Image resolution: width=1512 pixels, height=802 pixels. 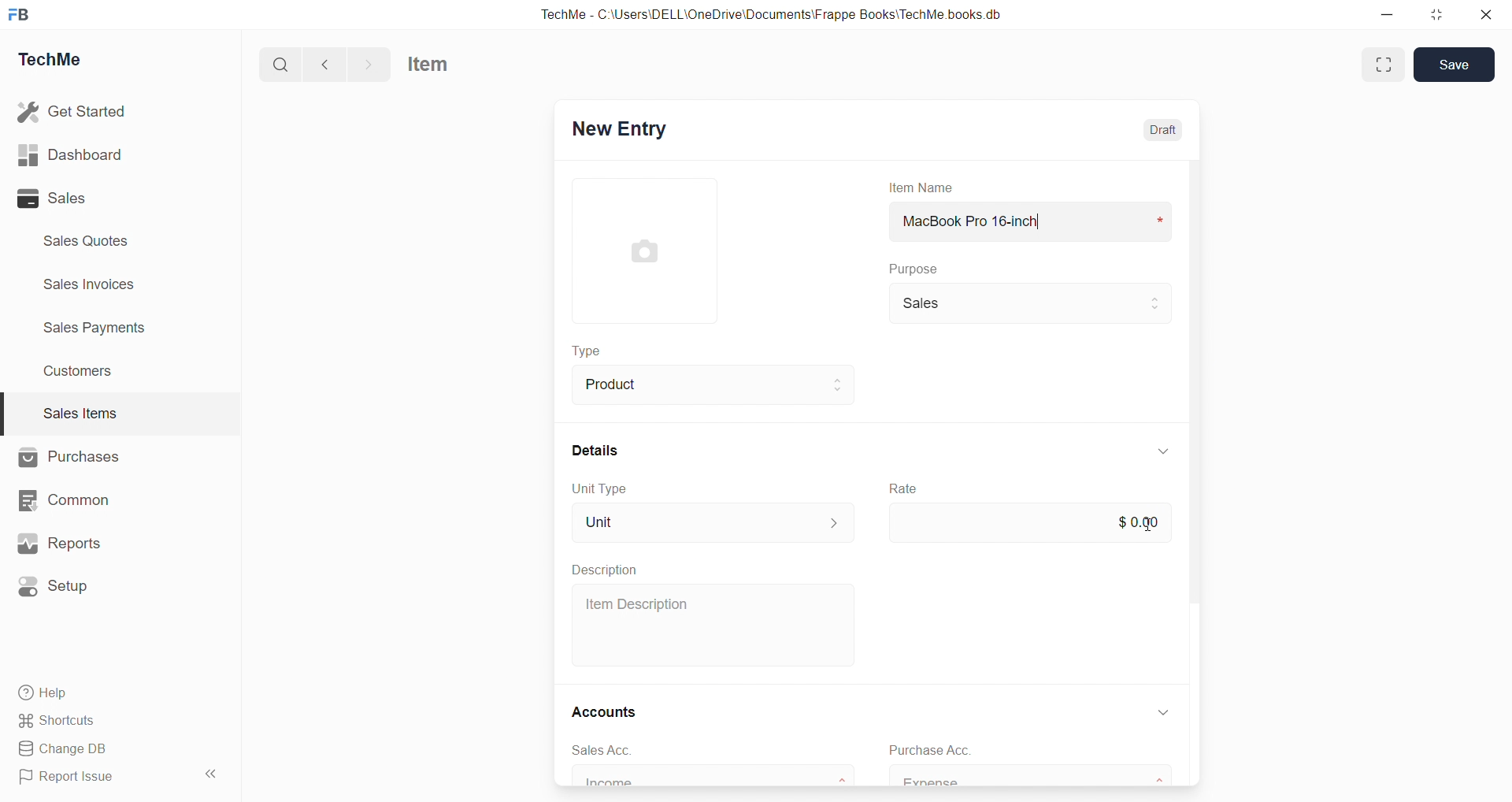 What do you see at coordinates (1387, 13) in the screenshot?
I see `minimize` at bounding box center [1387, 13].